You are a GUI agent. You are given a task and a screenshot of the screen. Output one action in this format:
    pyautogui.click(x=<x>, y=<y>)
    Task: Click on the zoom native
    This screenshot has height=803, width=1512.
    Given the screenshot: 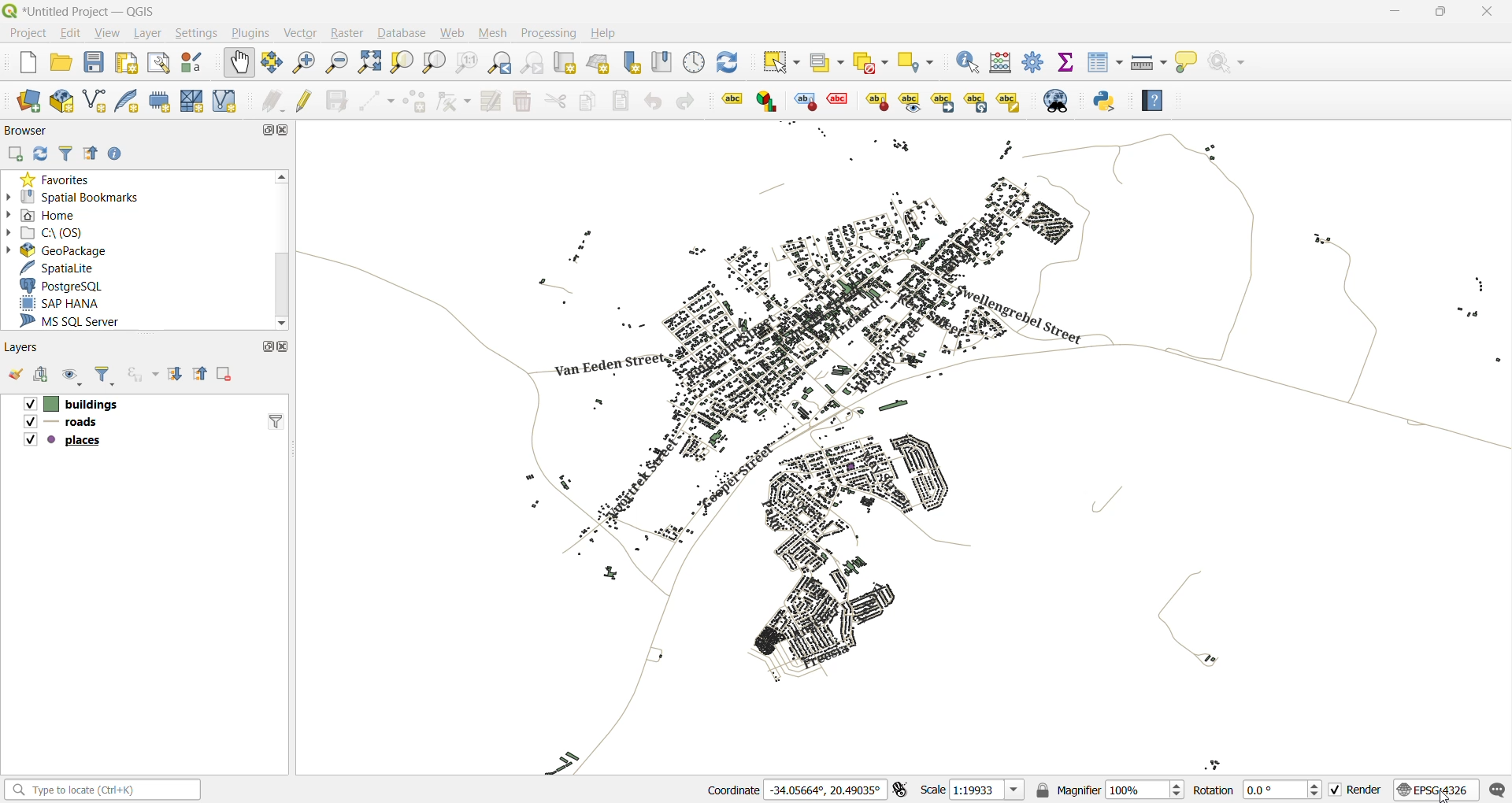 What is the action you would take?
    pyautogui.click(x=466, y=63)
    